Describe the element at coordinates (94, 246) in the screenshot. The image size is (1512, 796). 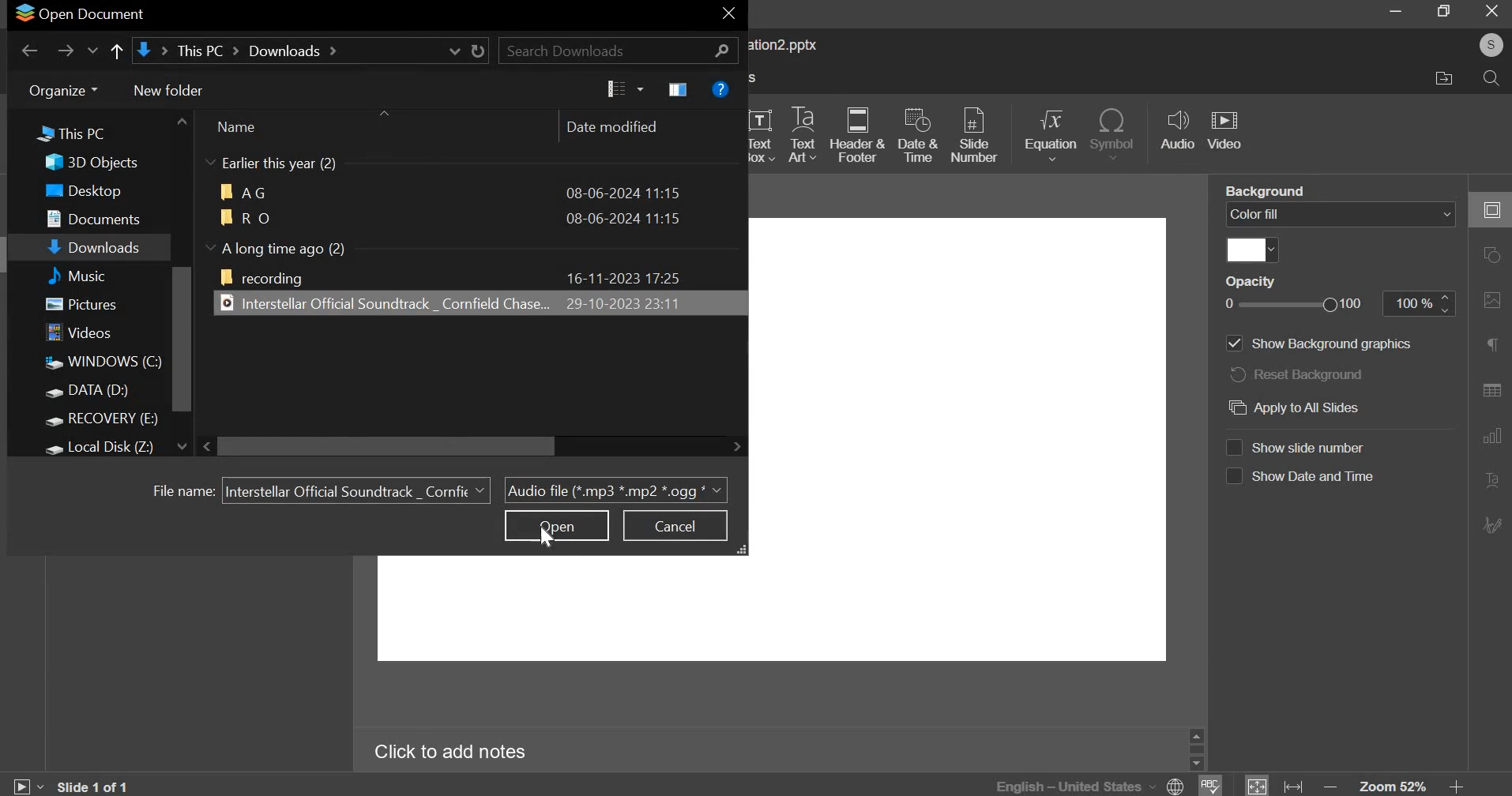
I see `Downloads` at that location.